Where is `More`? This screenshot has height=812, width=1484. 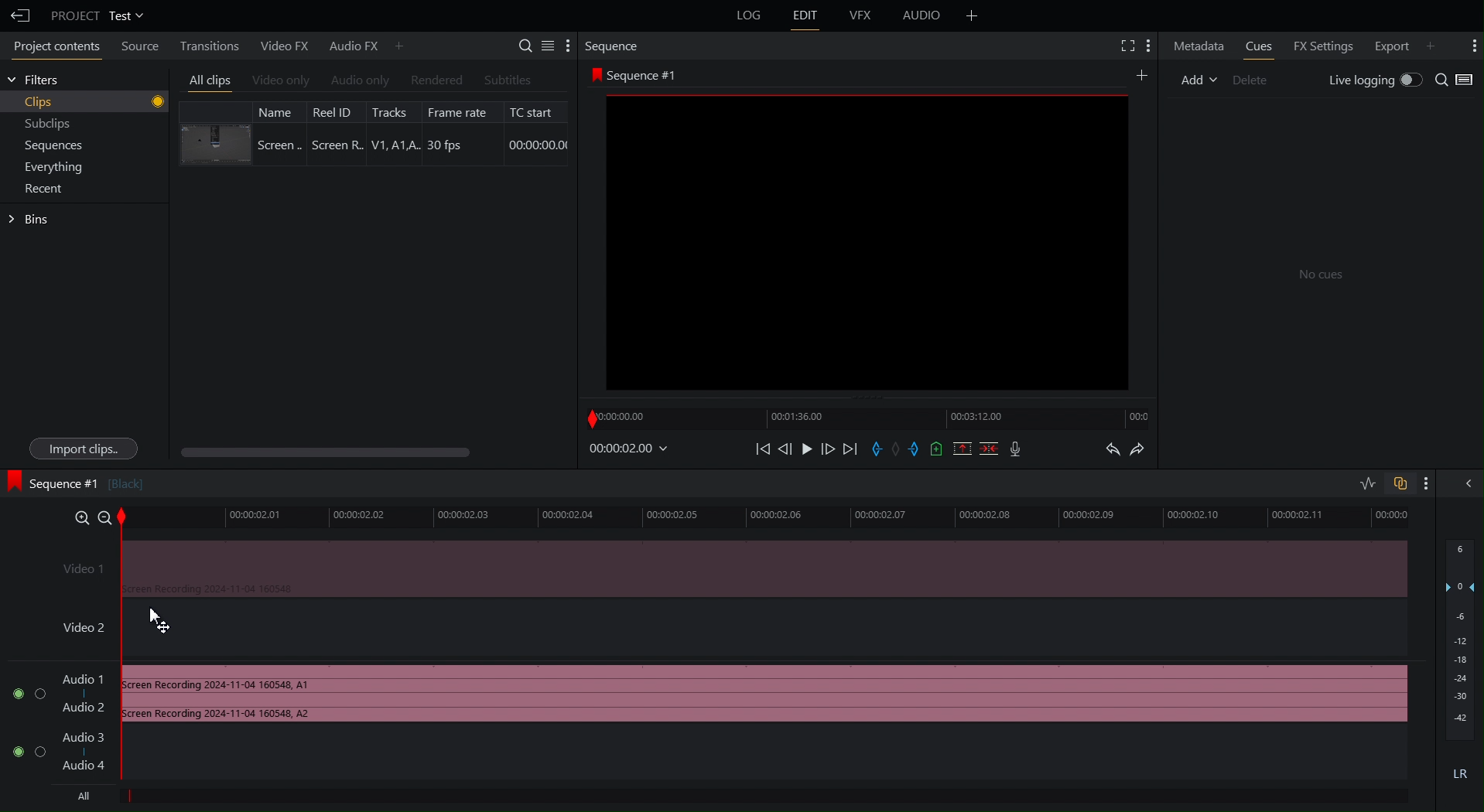 More is located at coordinates (1139, 75).